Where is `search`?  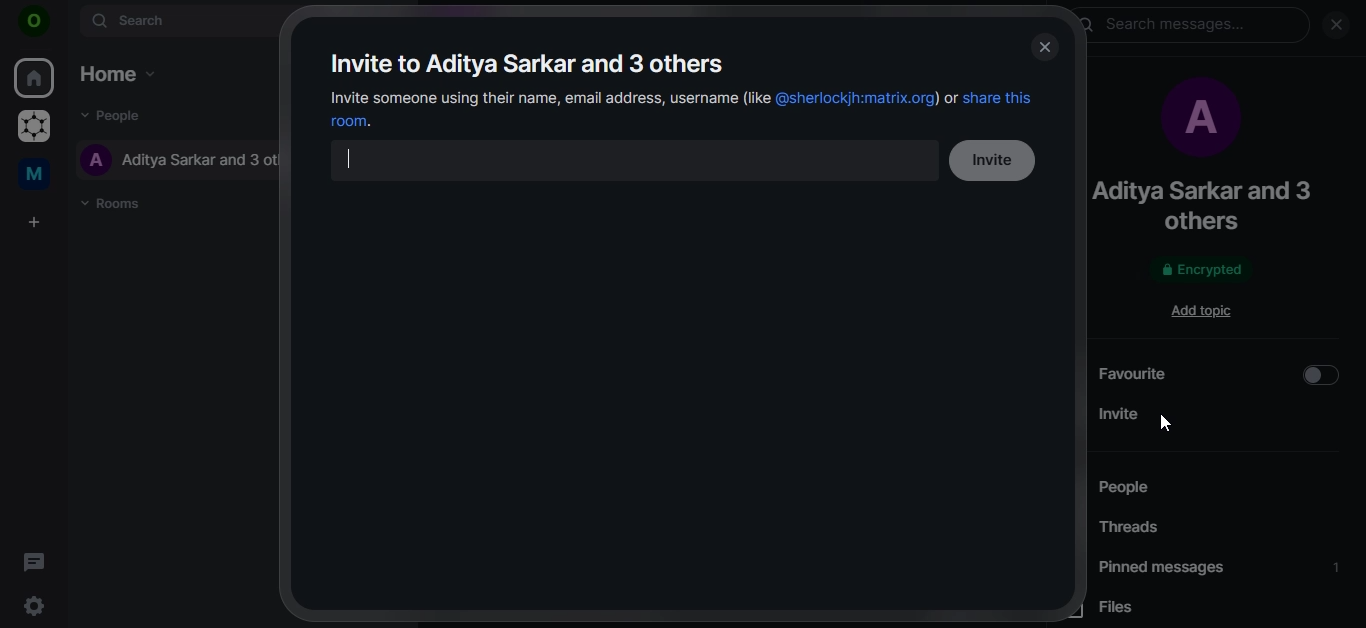
search is located at coordinates (176, 21).